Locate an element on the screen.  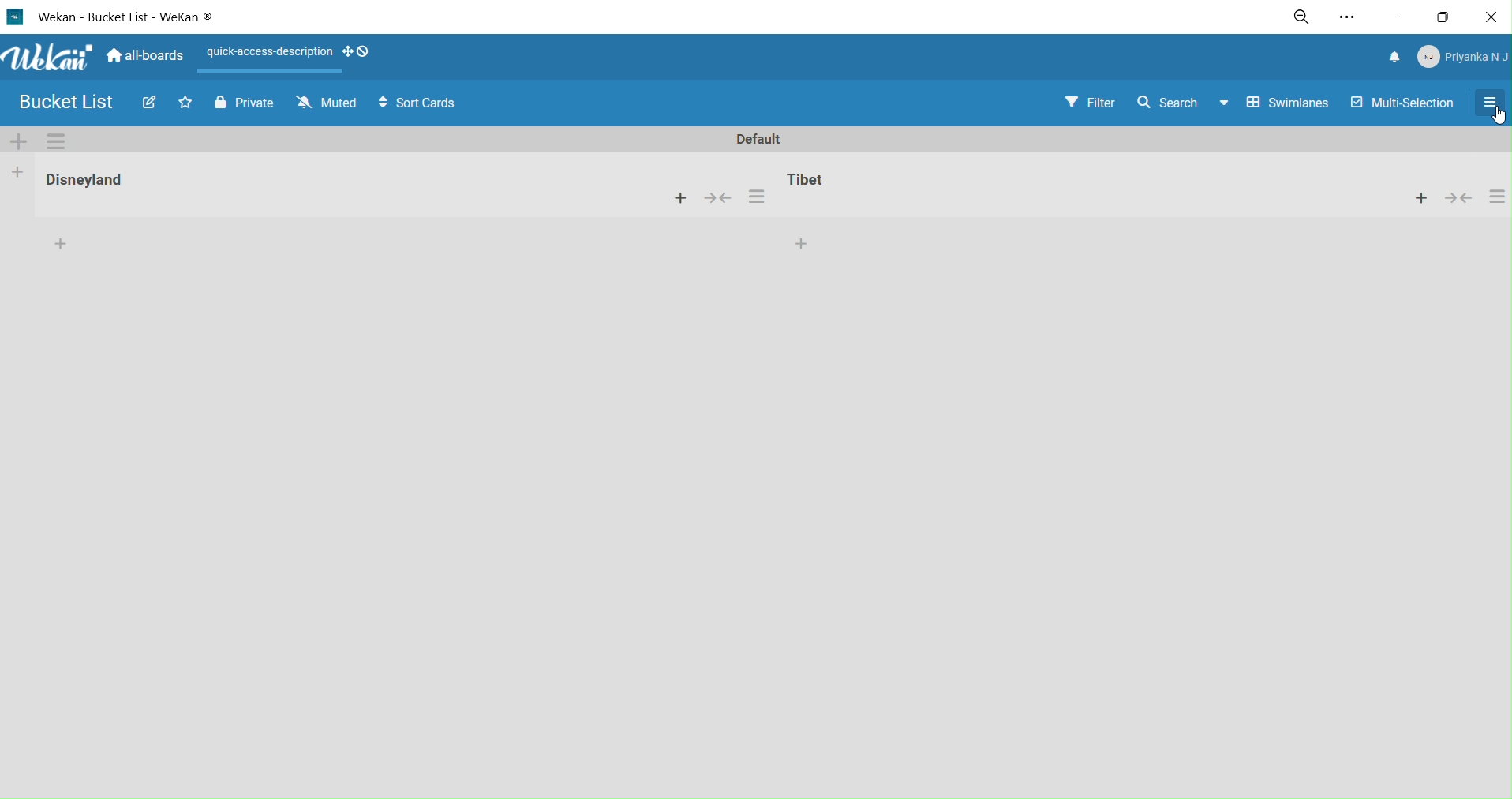
merge cards is located at coordinates (719, 199).